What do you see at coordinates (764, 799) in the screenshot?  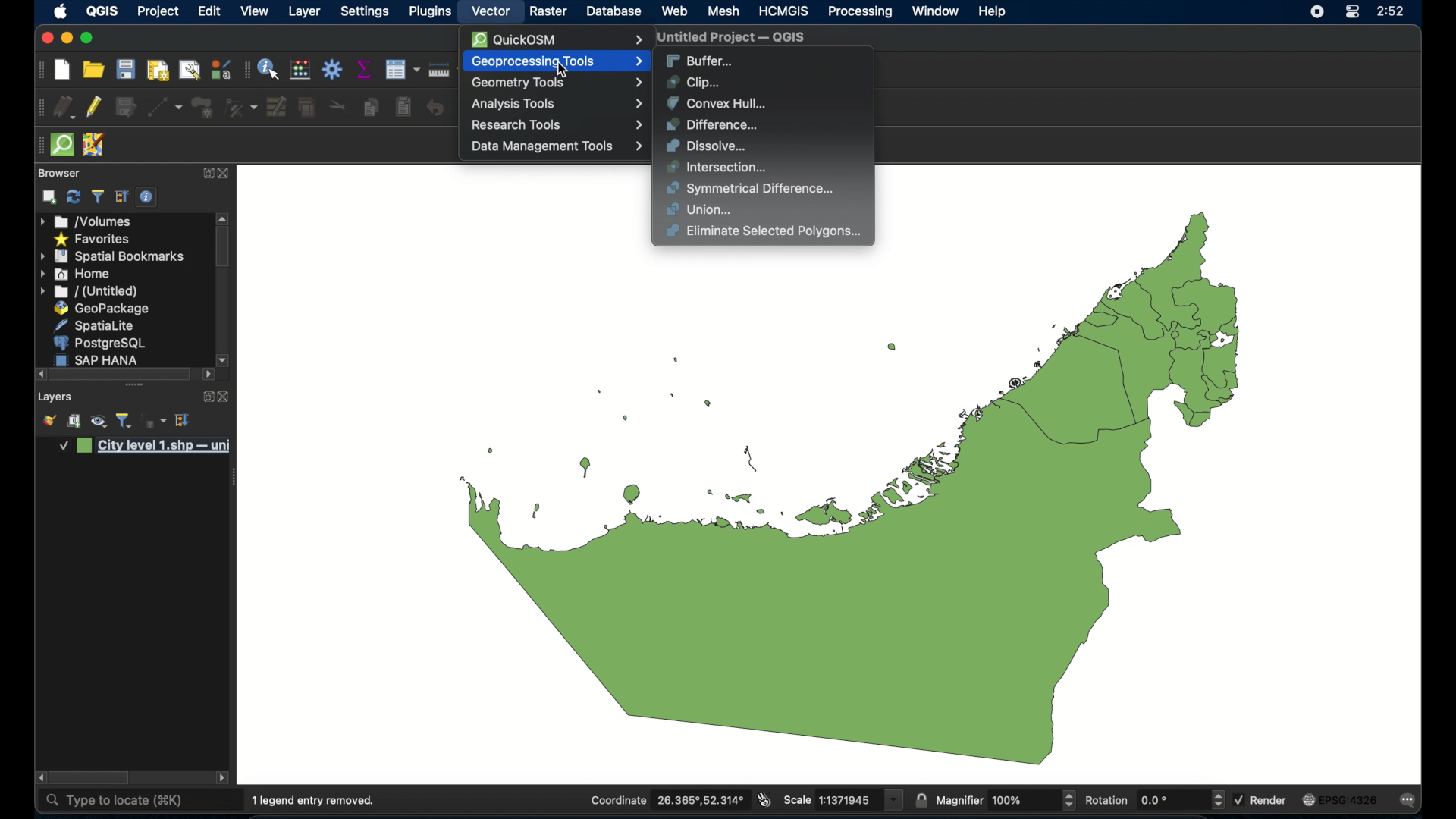 I see `toggle extents and mouse display position` at bounding box center [764, 799].